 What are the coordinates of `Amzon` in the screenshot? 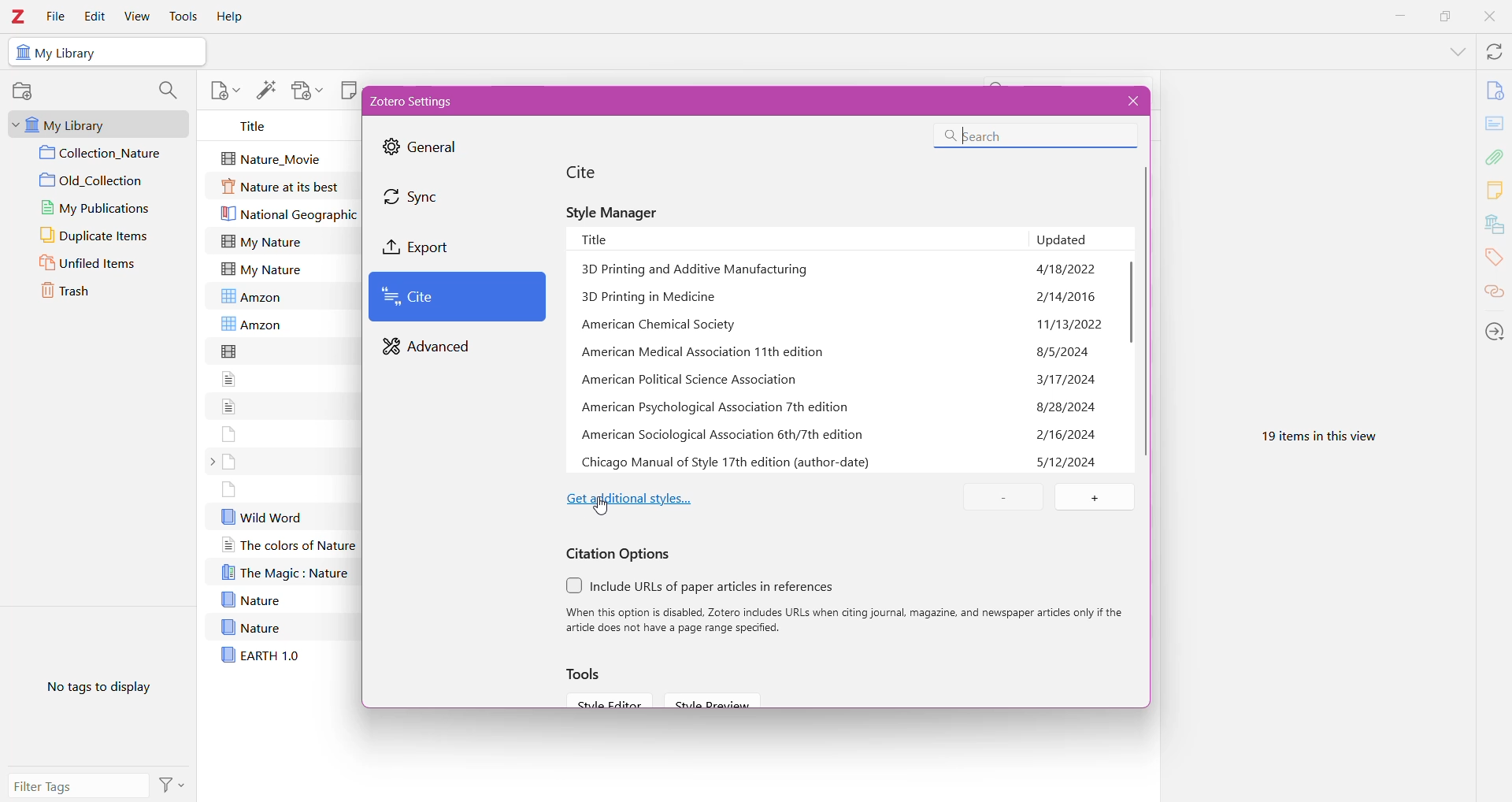 It's located at (252, 325).